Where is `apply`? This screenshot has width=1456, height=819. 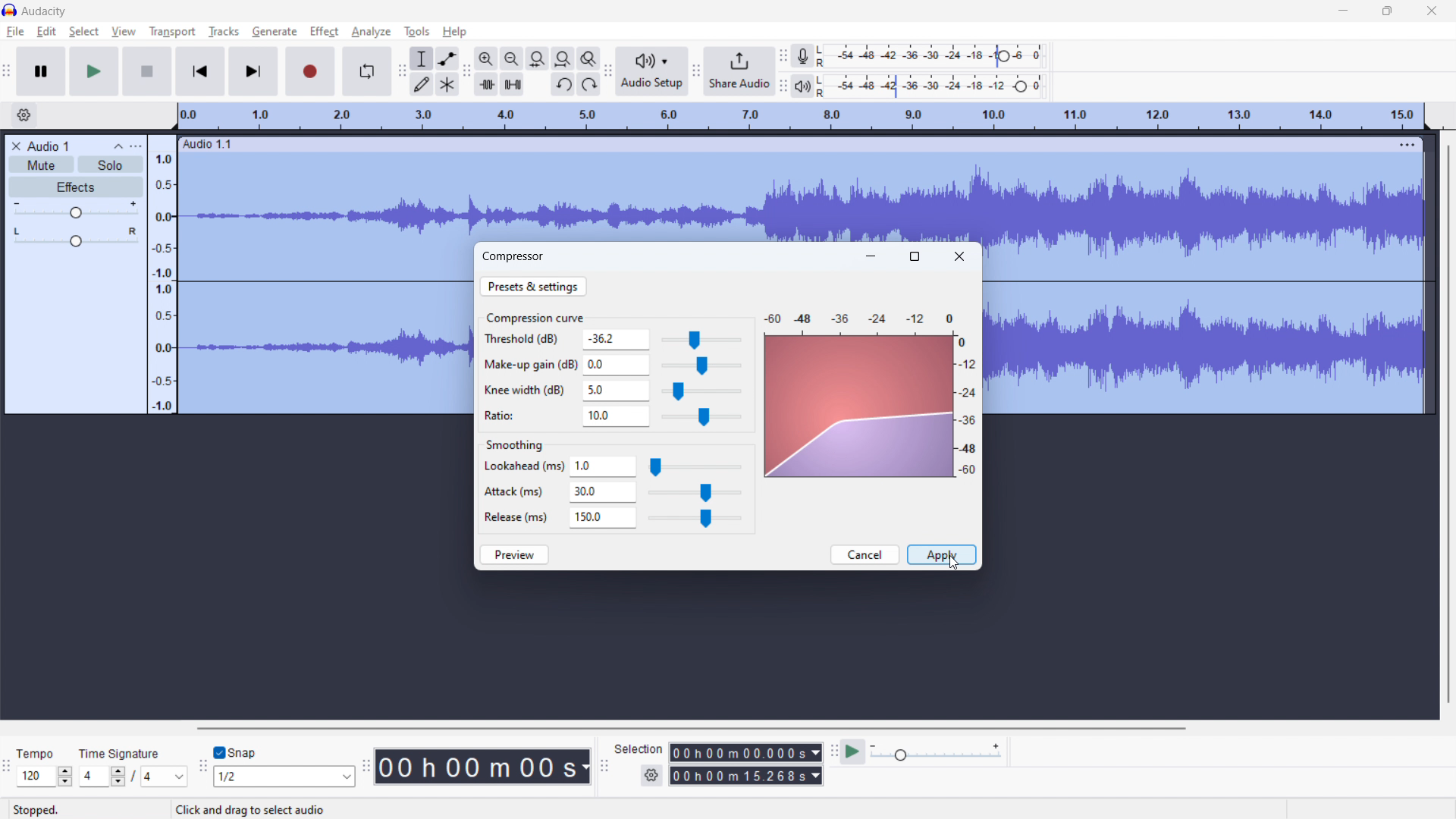 apply is located at coordinates (941, 555).